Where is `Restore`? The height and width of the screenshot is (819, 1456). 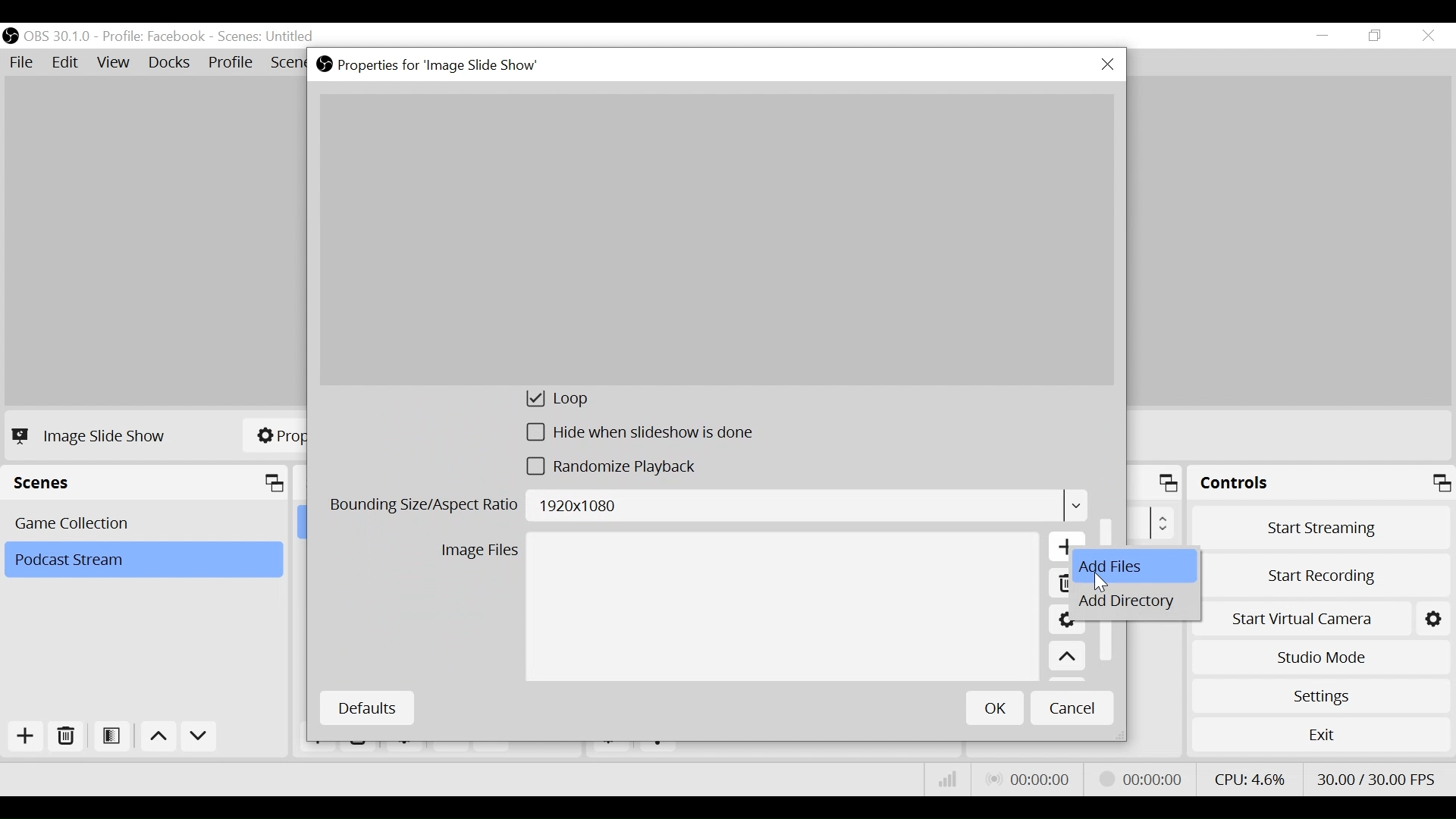
Restore is located at coordinates (1376, 36).